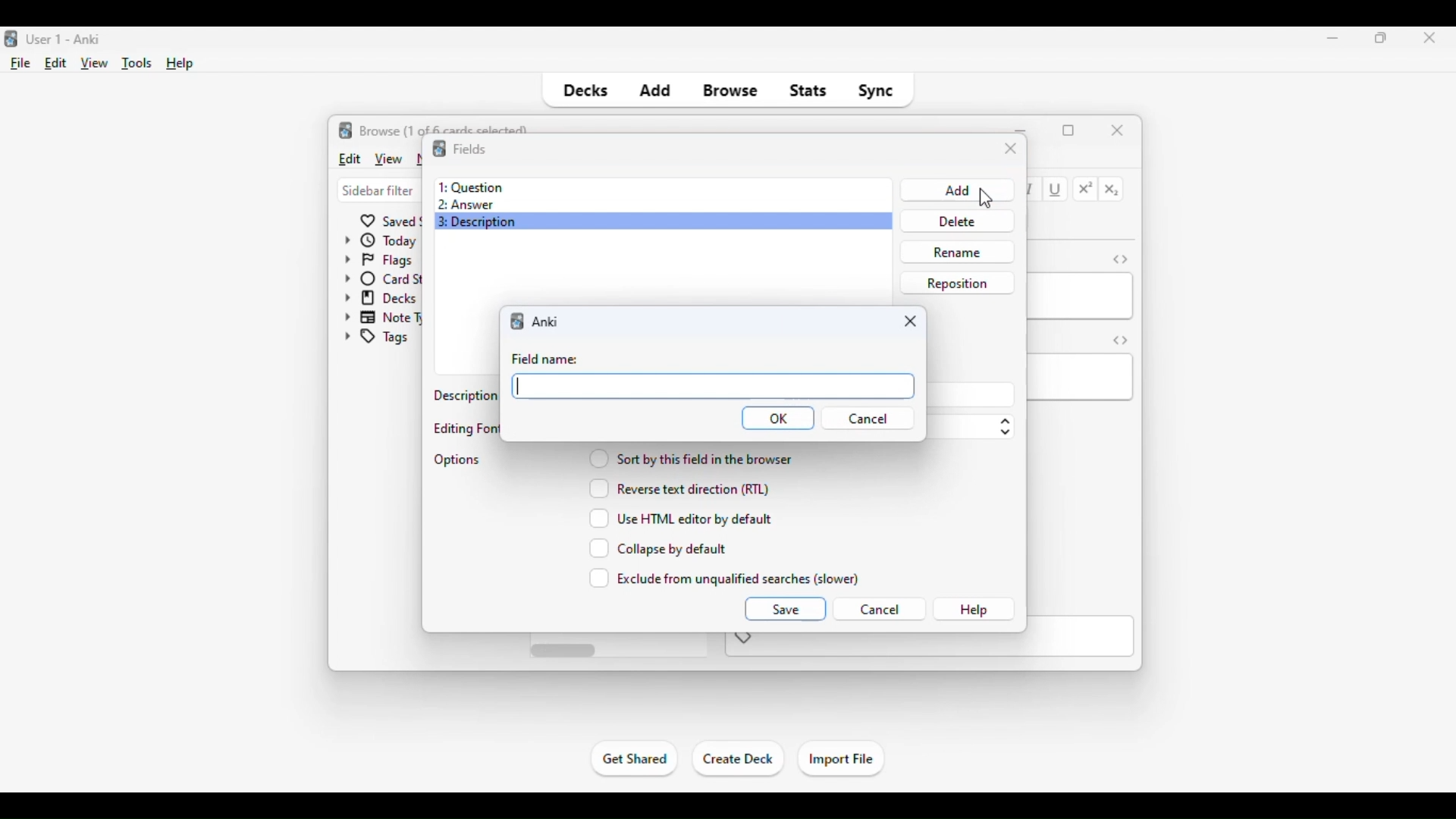 This screenshot has height=819, width=1456. Describe the element at coordinates (1011, 149) in the screenshot. I see `close` at that location.